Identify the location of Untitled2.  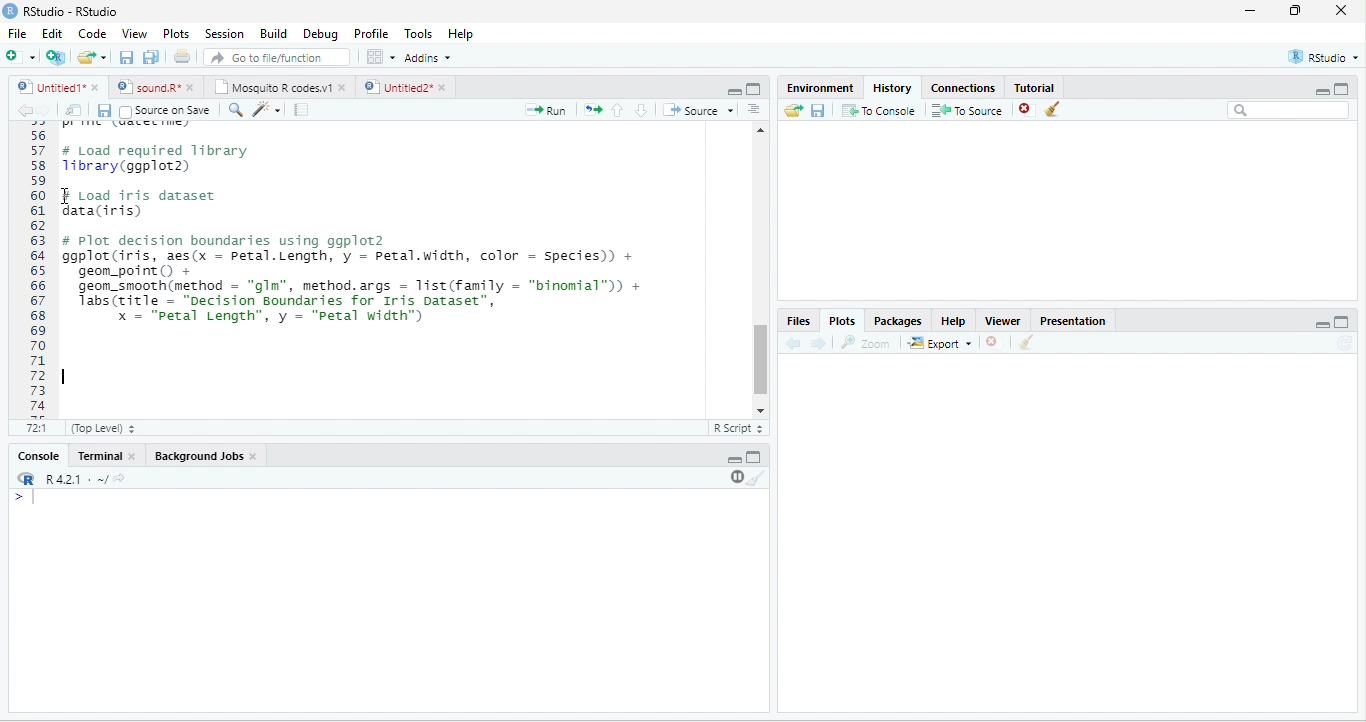
(396, 87).